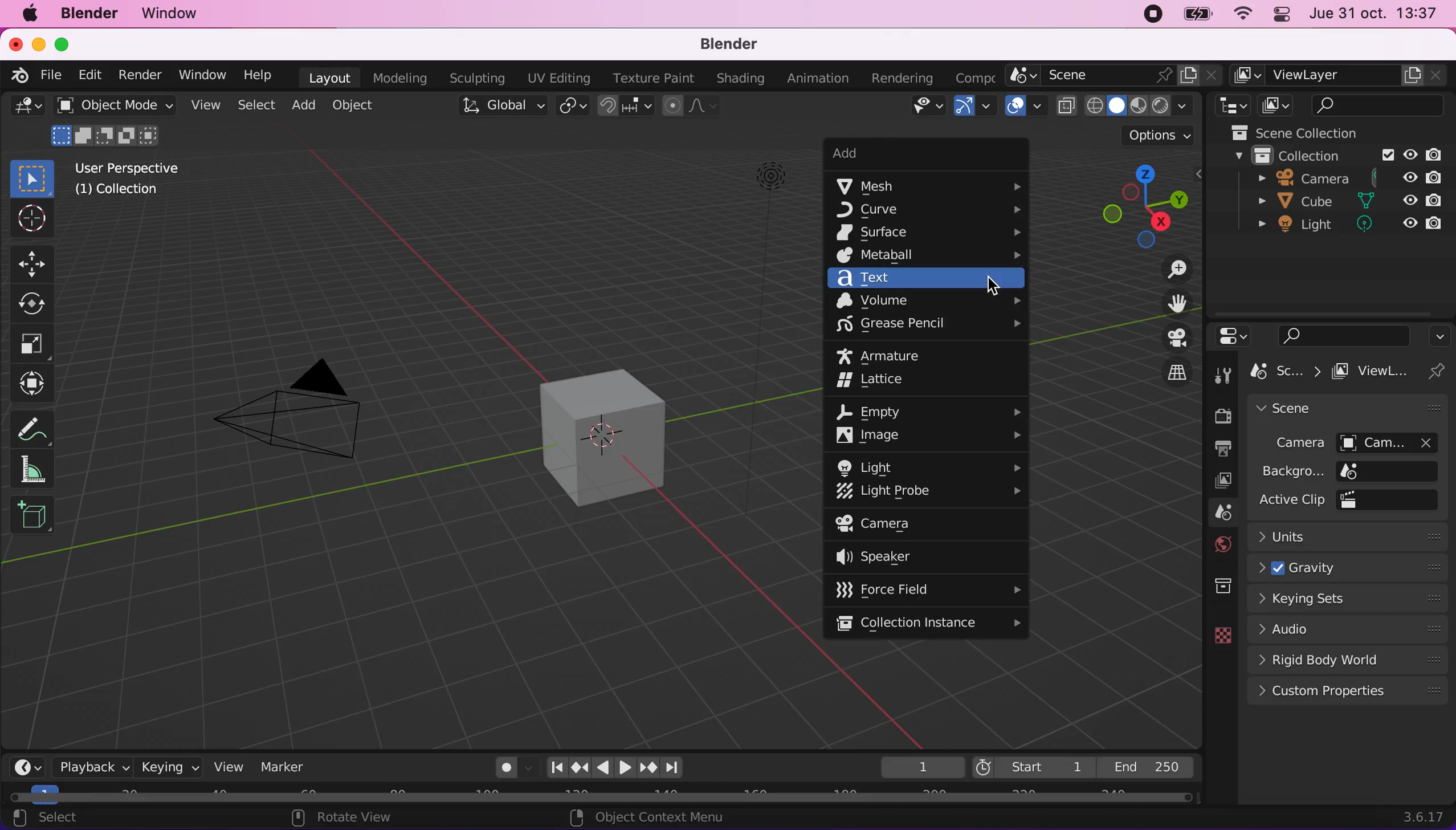  Describe the element at coordinates (929, 209) in the screenshot. I see `curve` at that location.